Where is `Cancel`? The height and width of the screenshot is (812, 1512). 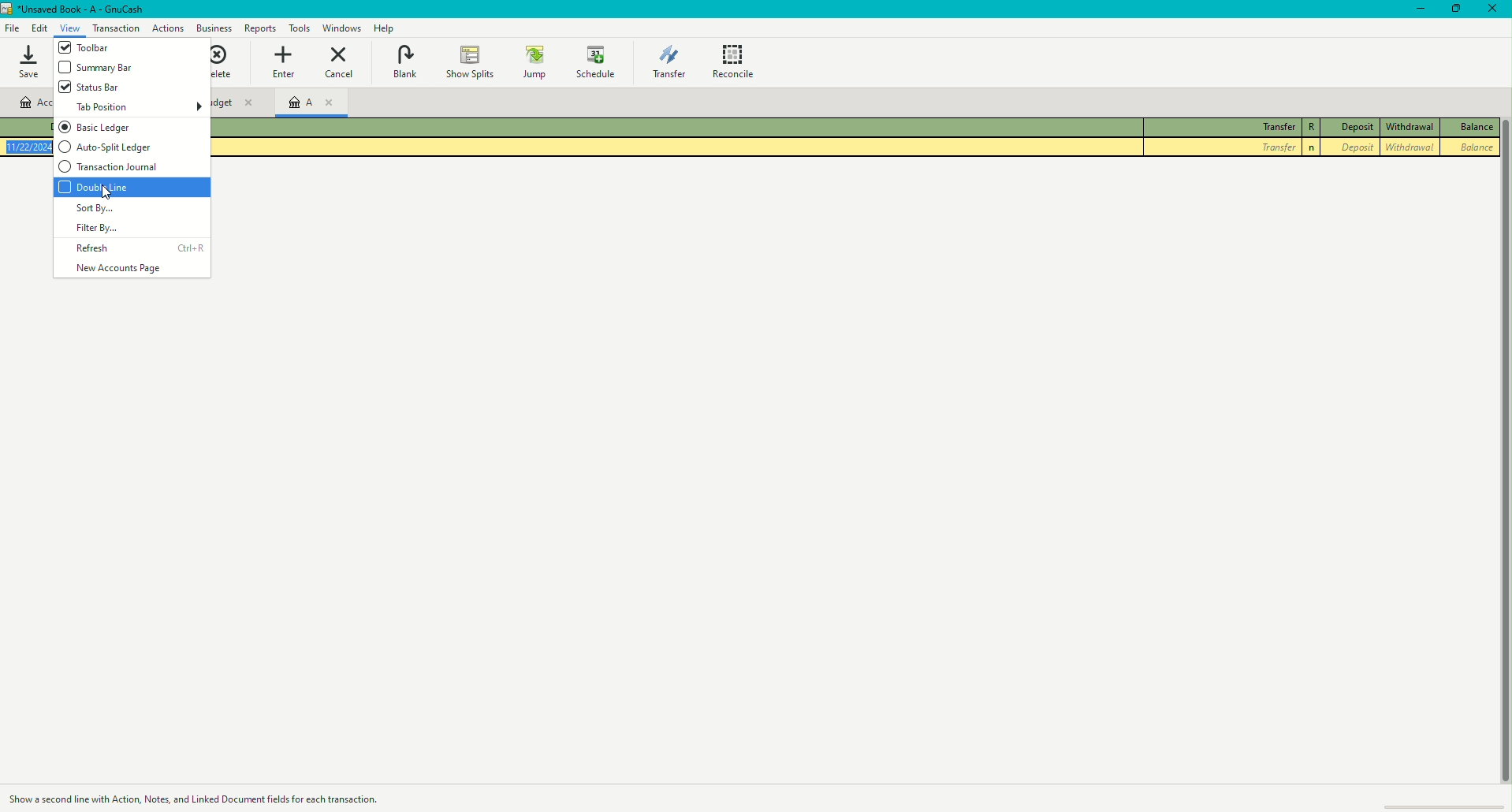
Cancel is located at coordinates (340, 65).